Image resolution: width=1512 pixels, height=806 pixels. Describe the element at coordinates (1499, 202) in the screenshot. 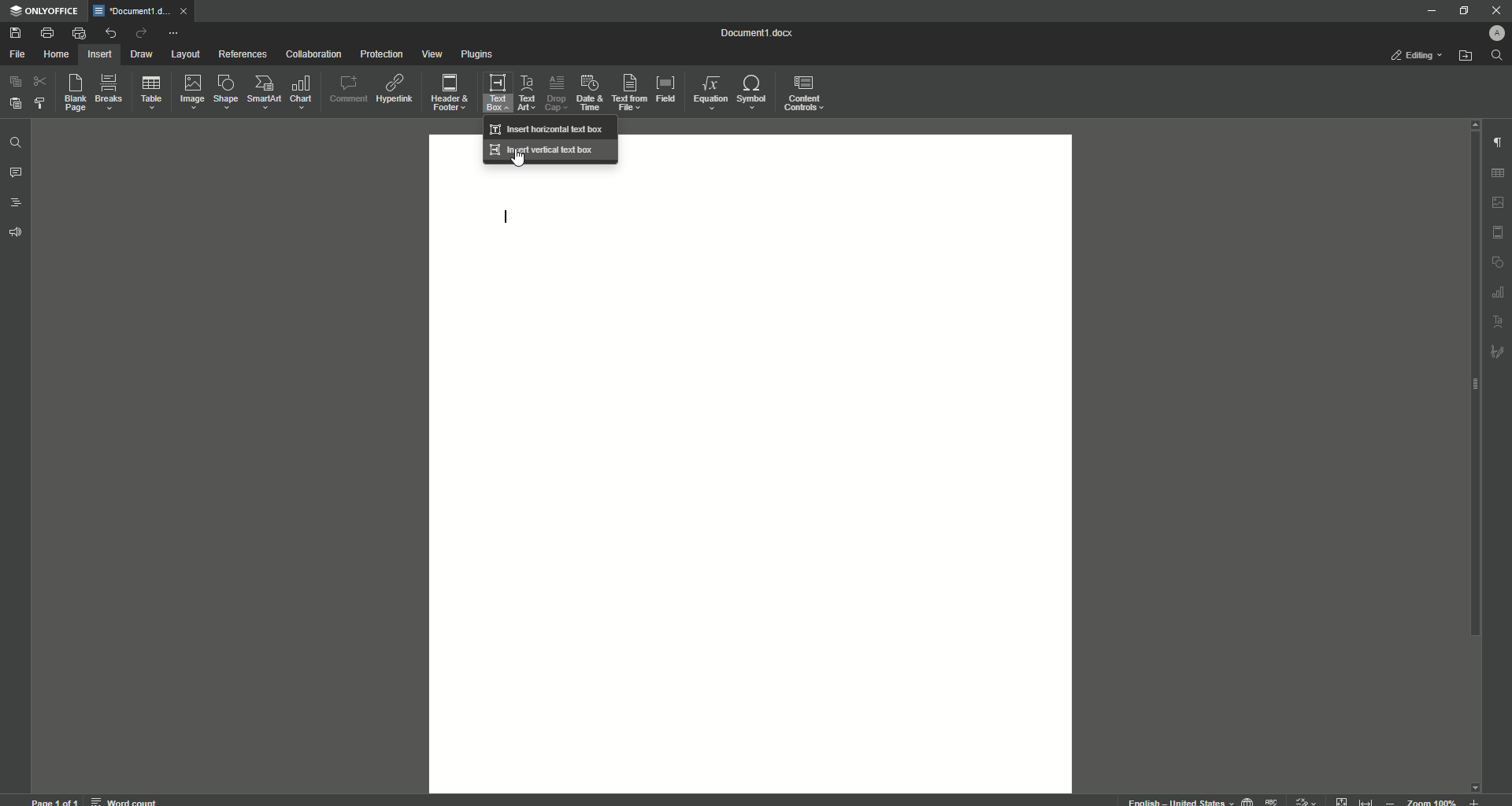

I see `image` at that location.